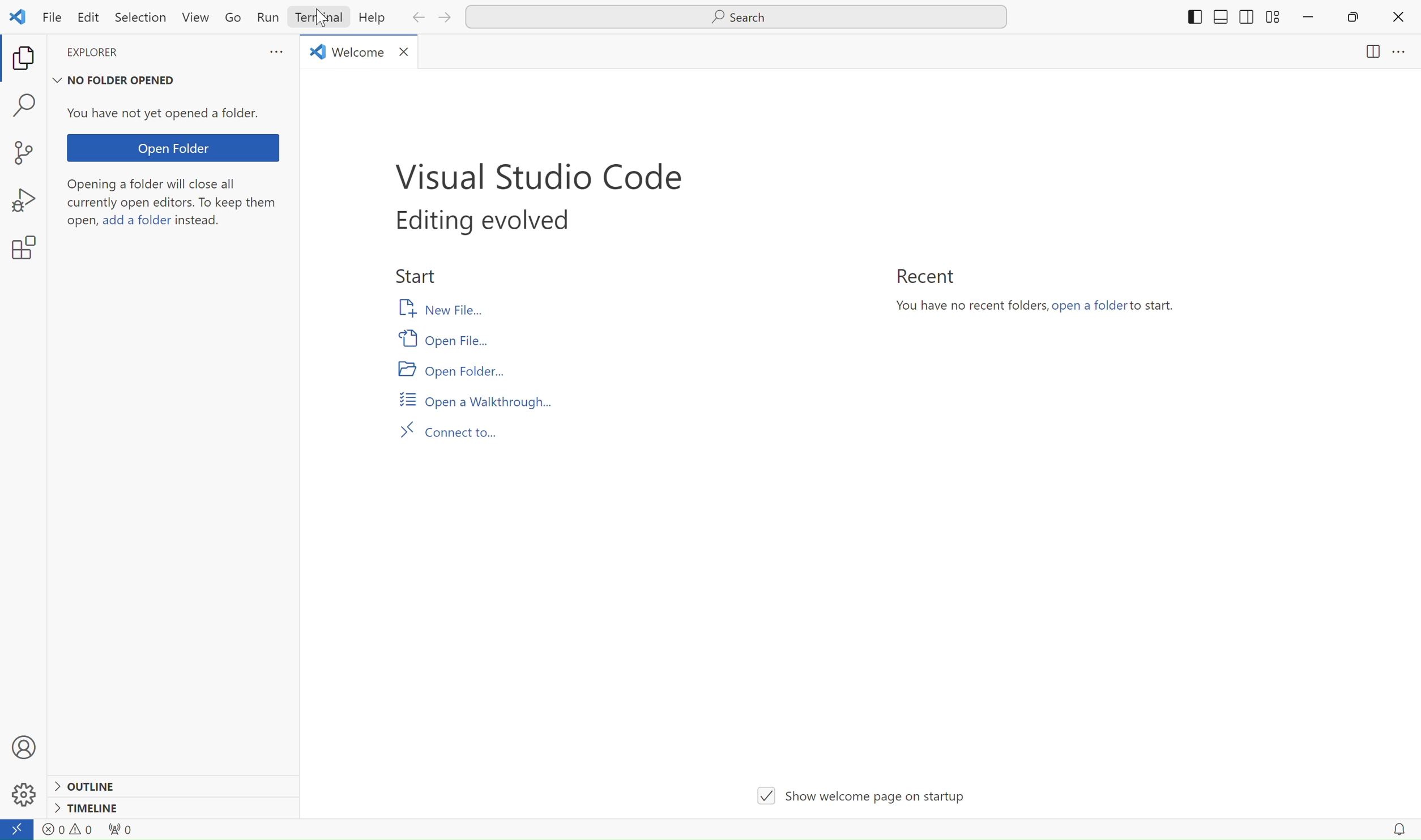 The height and width of the screenshot is (840, 1421). What do you see at coordinates (18, 14) in the screenshot?
I see `logo` at bounding box center [18, 14].